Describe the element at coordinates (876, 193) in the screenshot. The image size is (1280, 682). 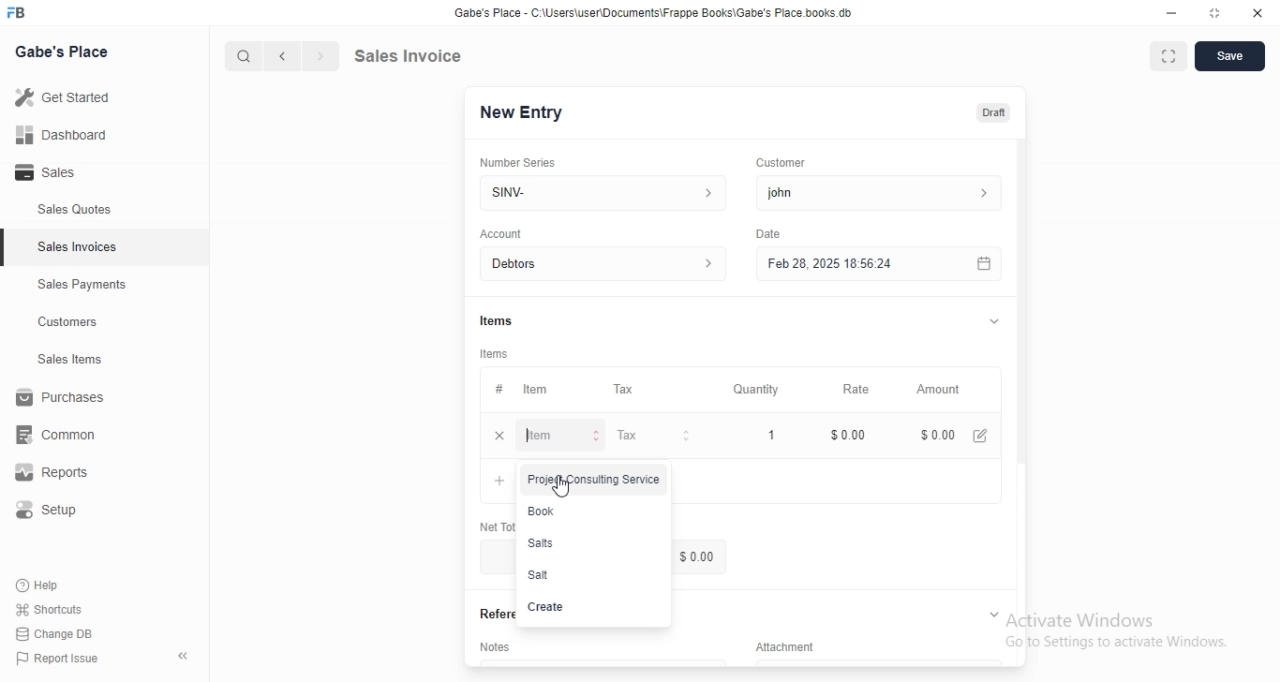
I see `john` at that location.